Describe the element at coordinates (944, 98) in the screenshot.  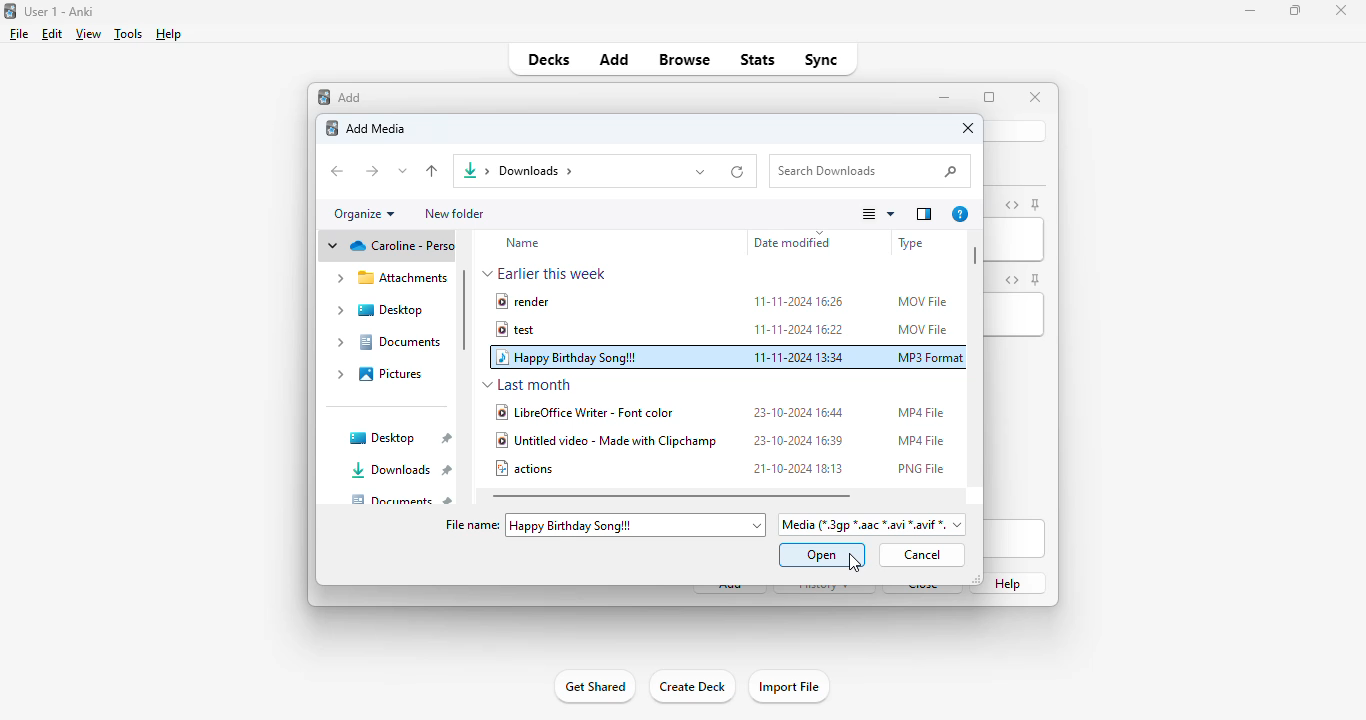
I see `minimize` at that location.